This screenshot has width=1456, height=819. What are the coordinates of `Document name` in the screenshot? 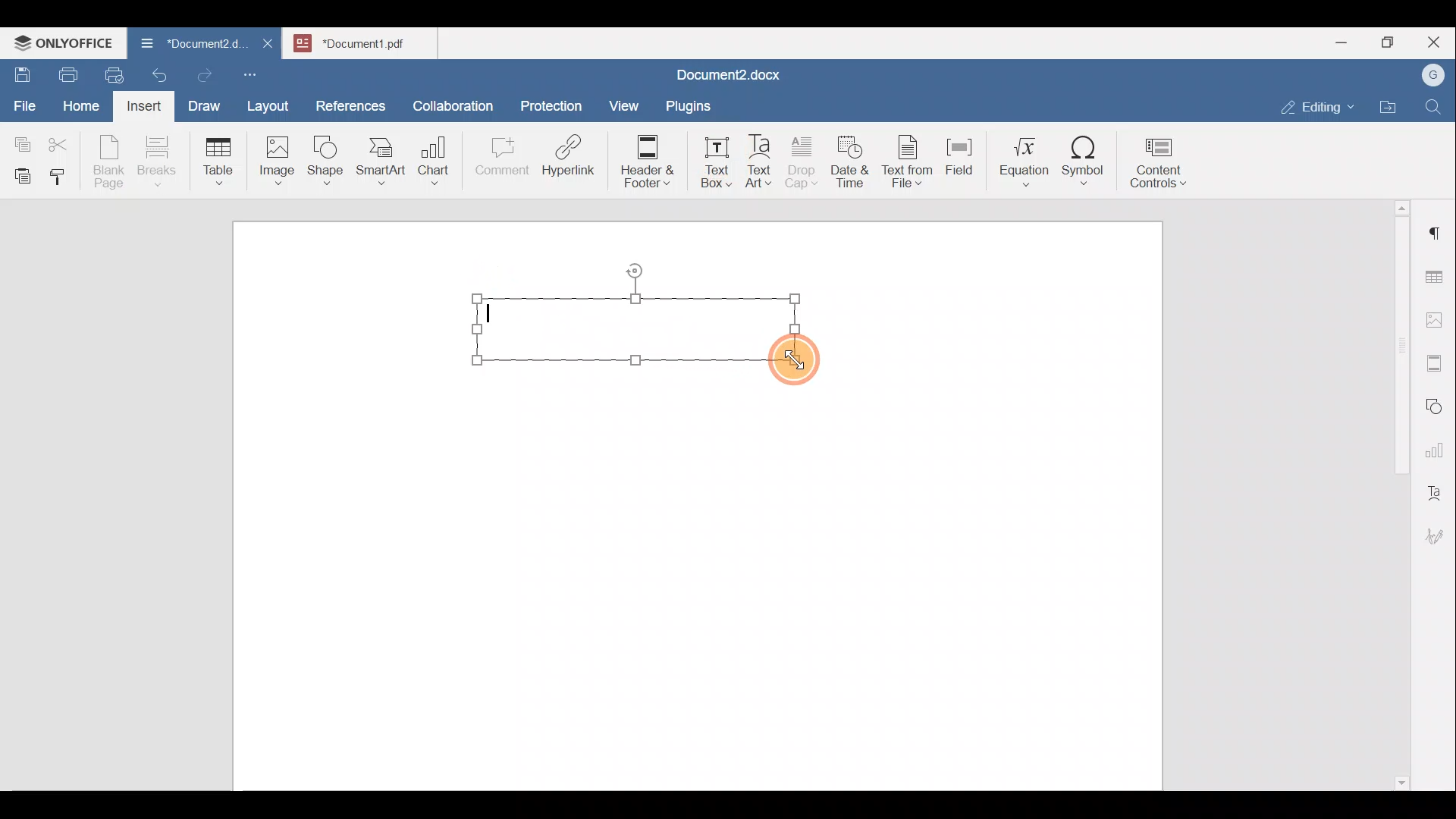 It's located at (185, 45).